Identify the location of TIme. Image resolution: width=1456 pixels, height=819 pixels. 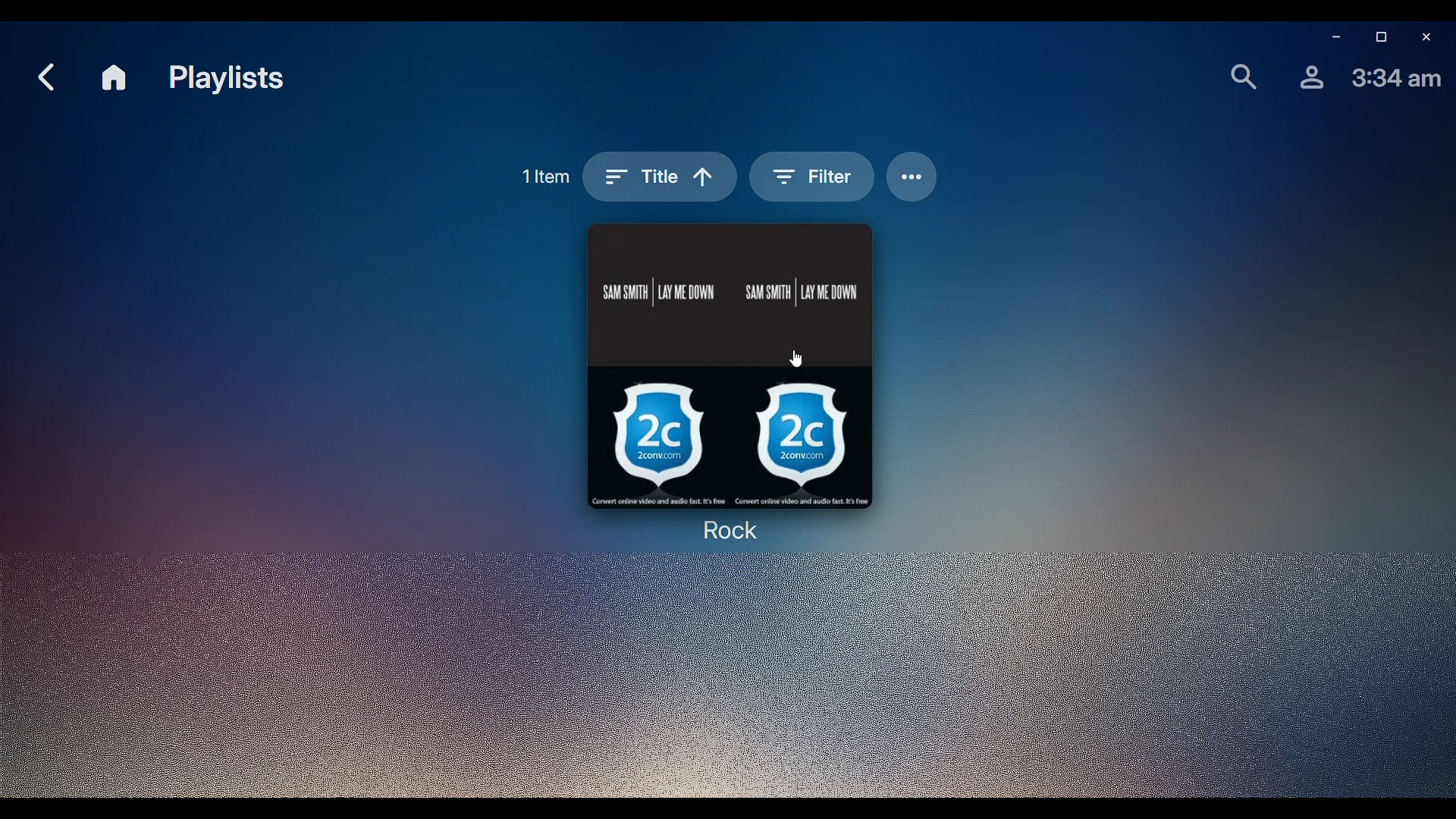
(1398, 78).